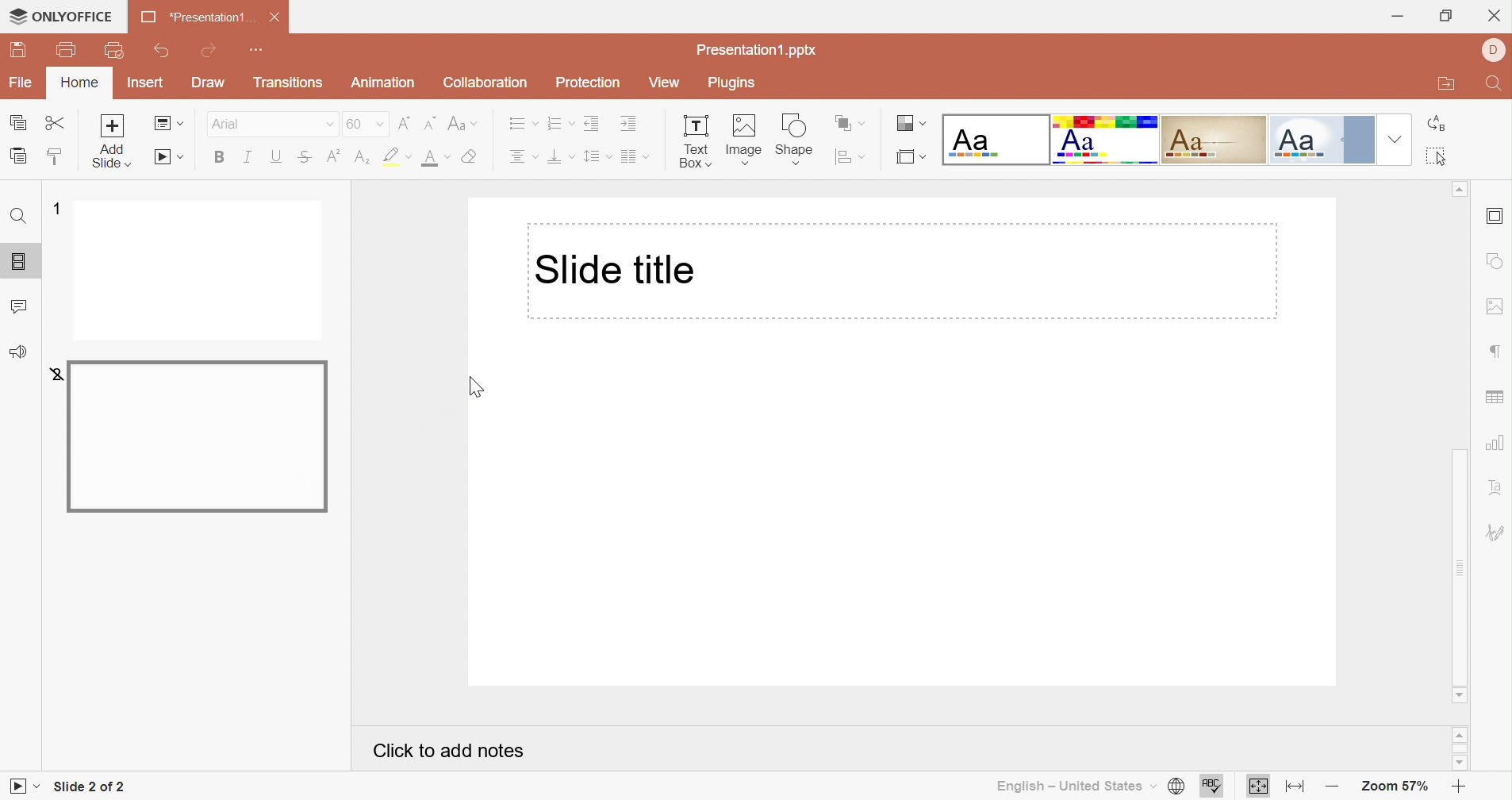 This screenshot has height=800, width=1512. I want to click on Drop Down, so click(325, 125).